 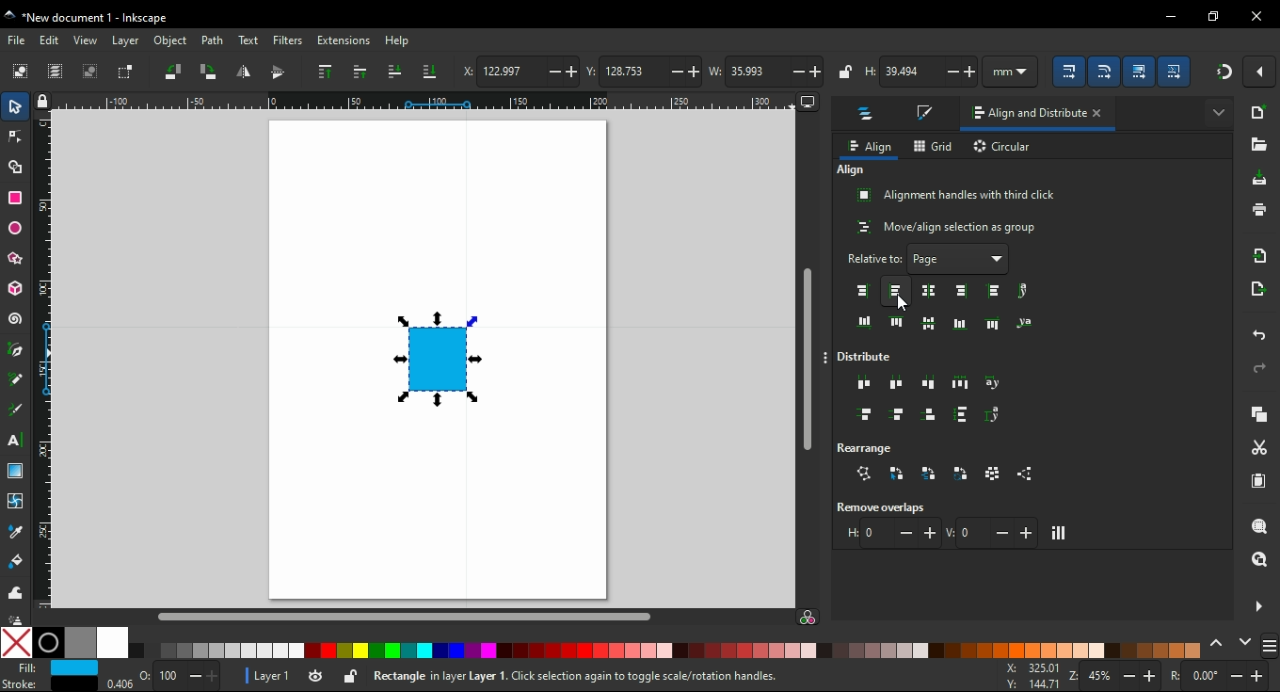 I want to click on open export, so click(x=1261, y=287).